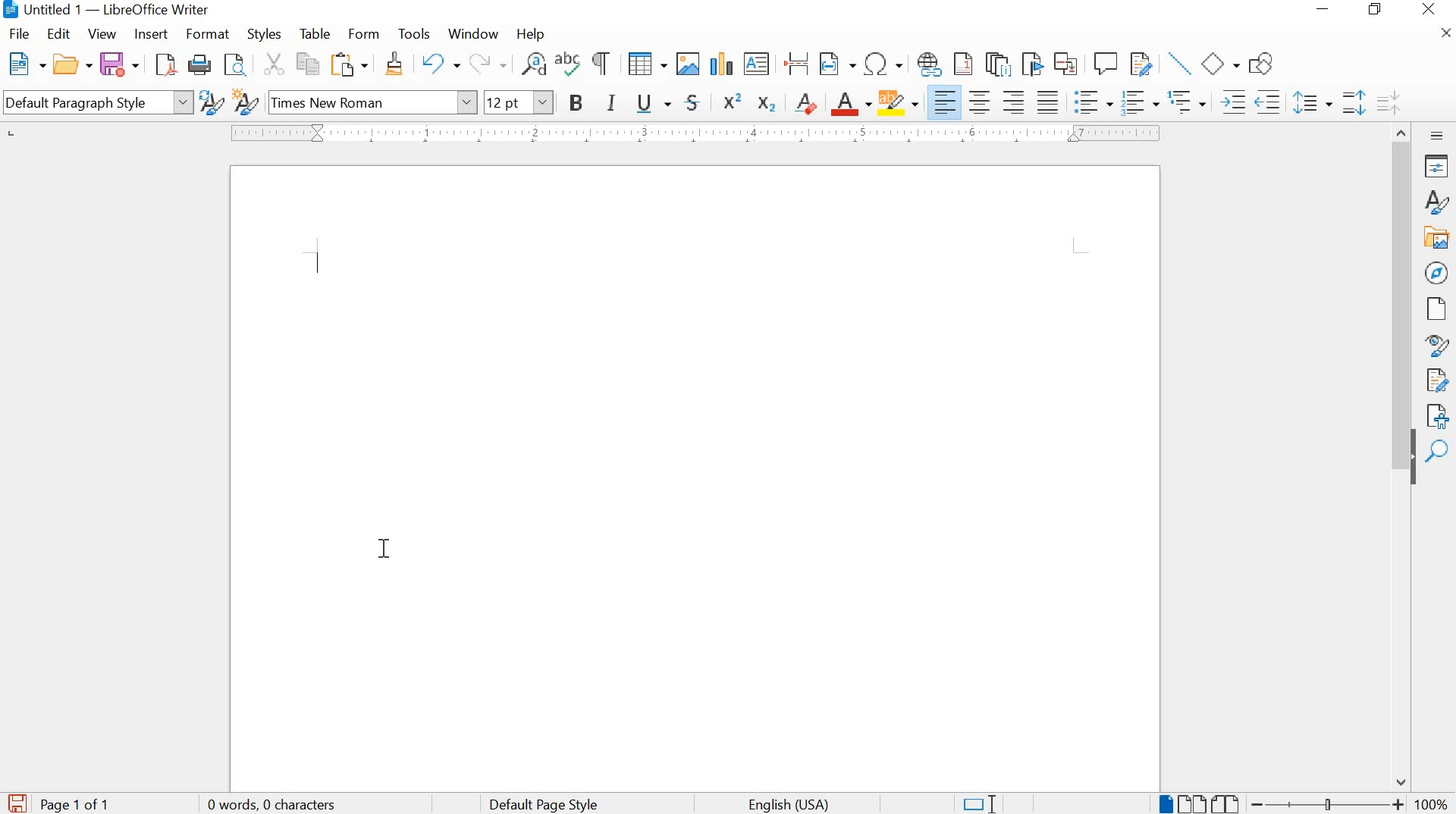 The height and width of the screenshot is (814, 1456). Describe the element at coordinates (964, 65) in the screenshot. I see `INSERT FOOTNOTE` at that location.